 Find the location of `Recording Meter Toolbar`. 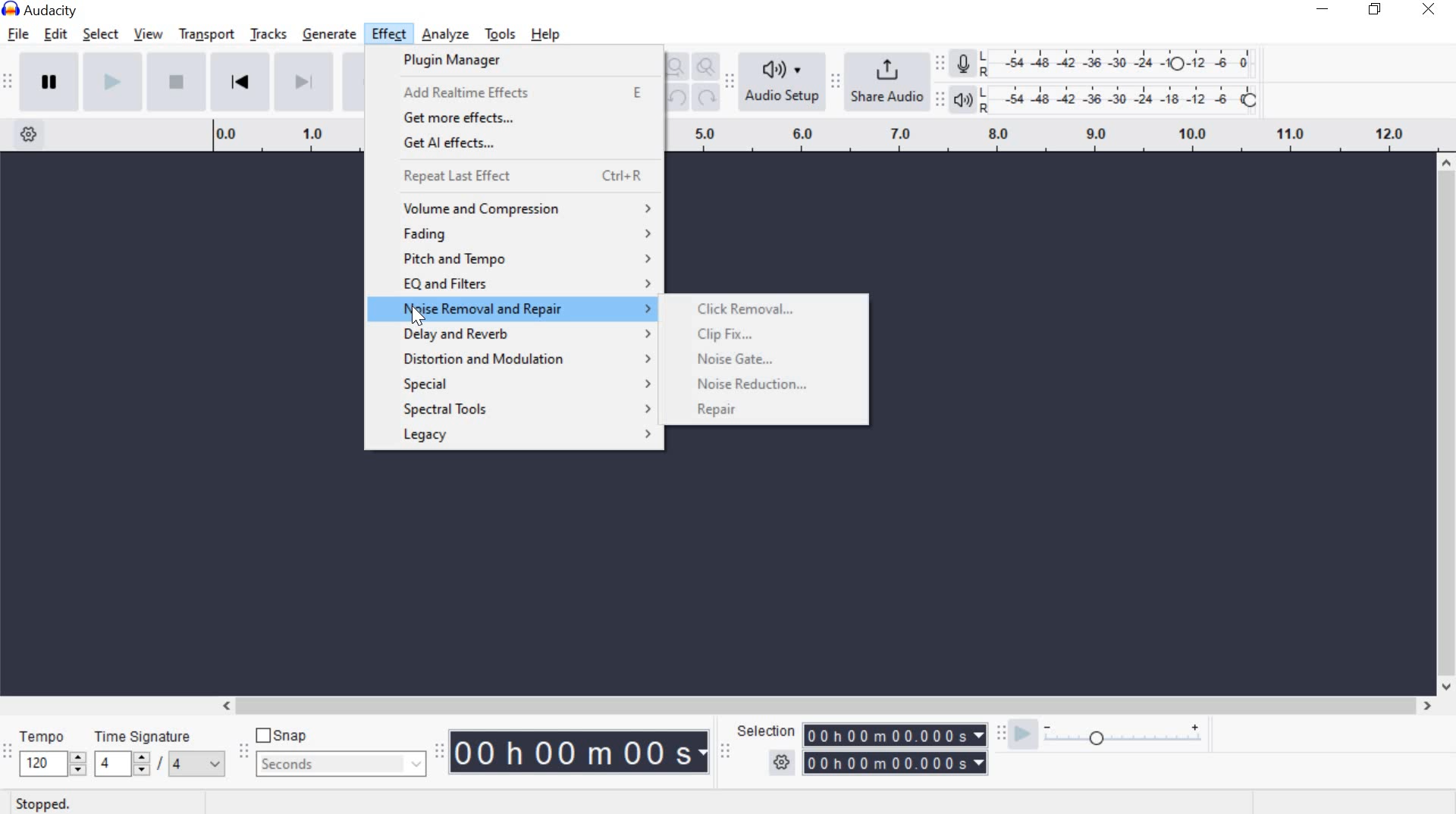

Recording Meter Toolbar is located at coordinates (940, 64).